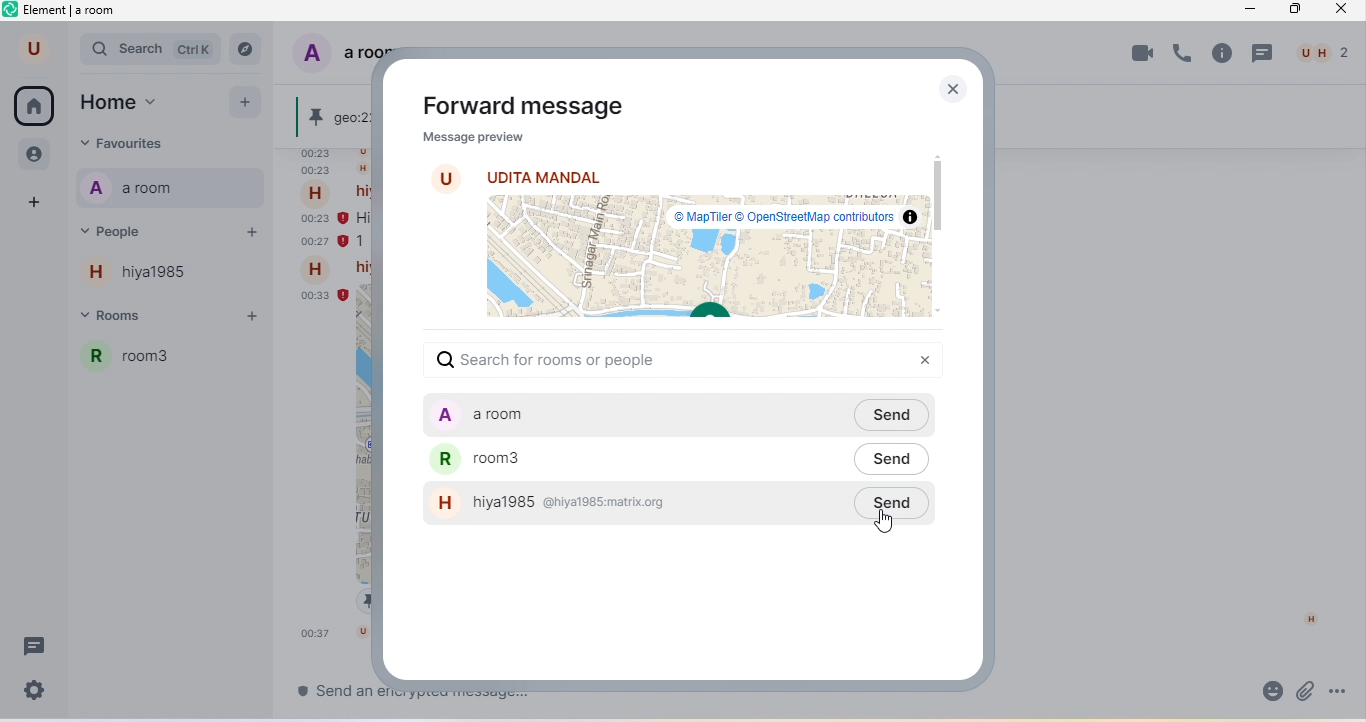 Image resolution: width=1366 pixels, height=722 pixels. I want to click on options, so click(1342, 689).